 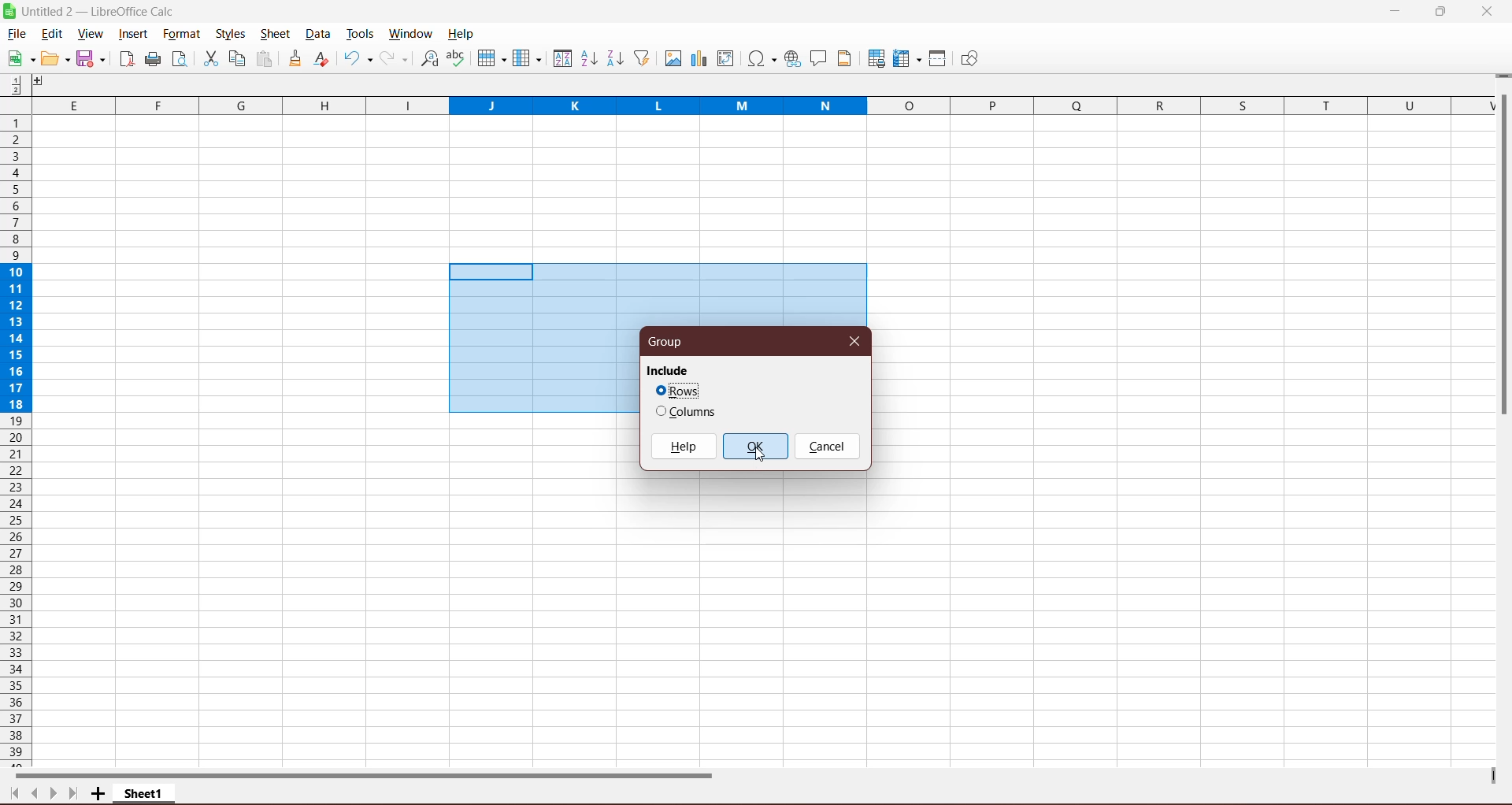 What do you see at coordinates (758, 446) in the screenshot?
I see `OK` at bounding box center [758, 446].